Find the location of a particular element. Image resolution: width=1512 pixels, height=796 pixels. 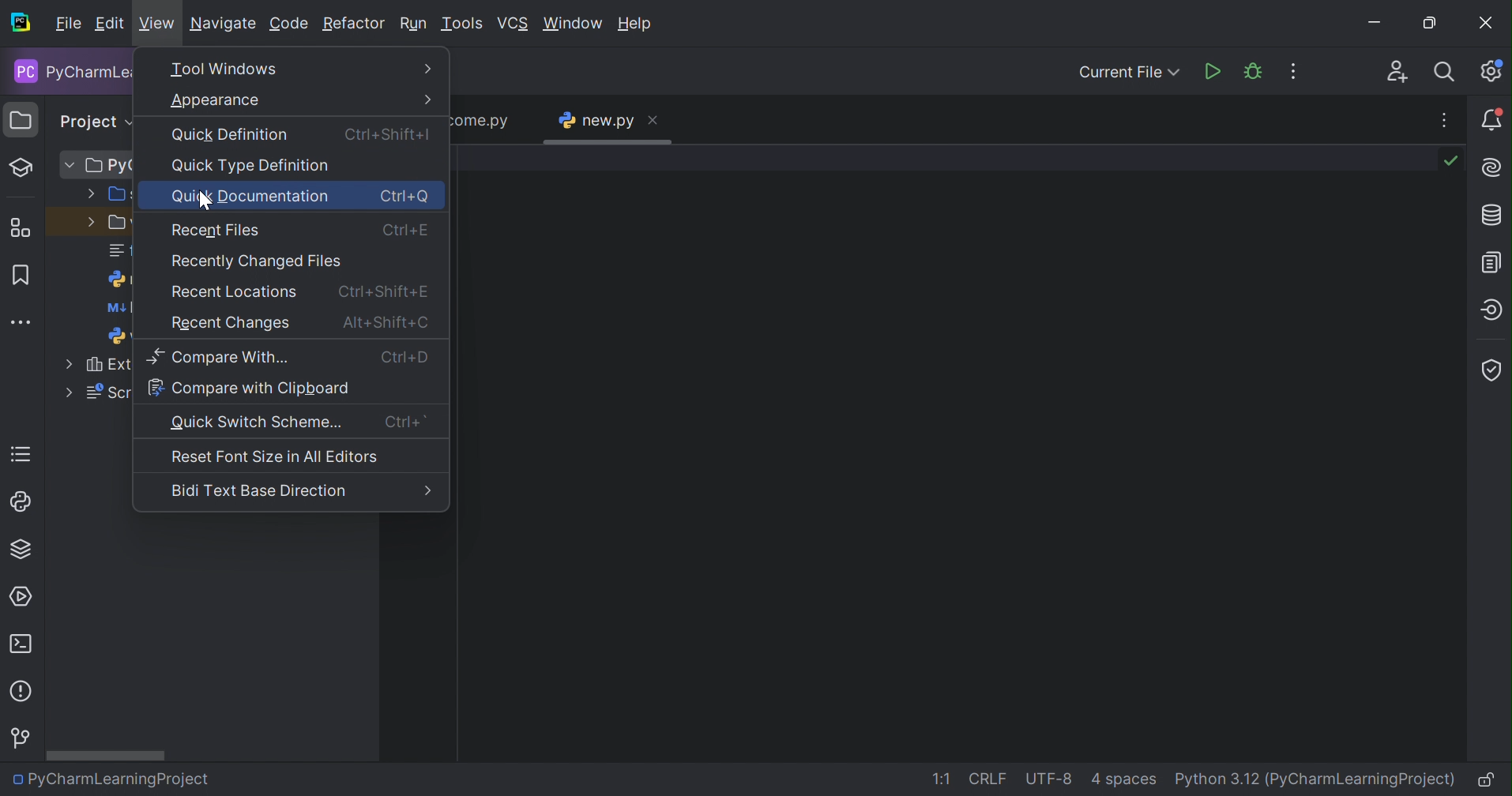

Ctrl+Shift+I is located at coordinates (386, 135).